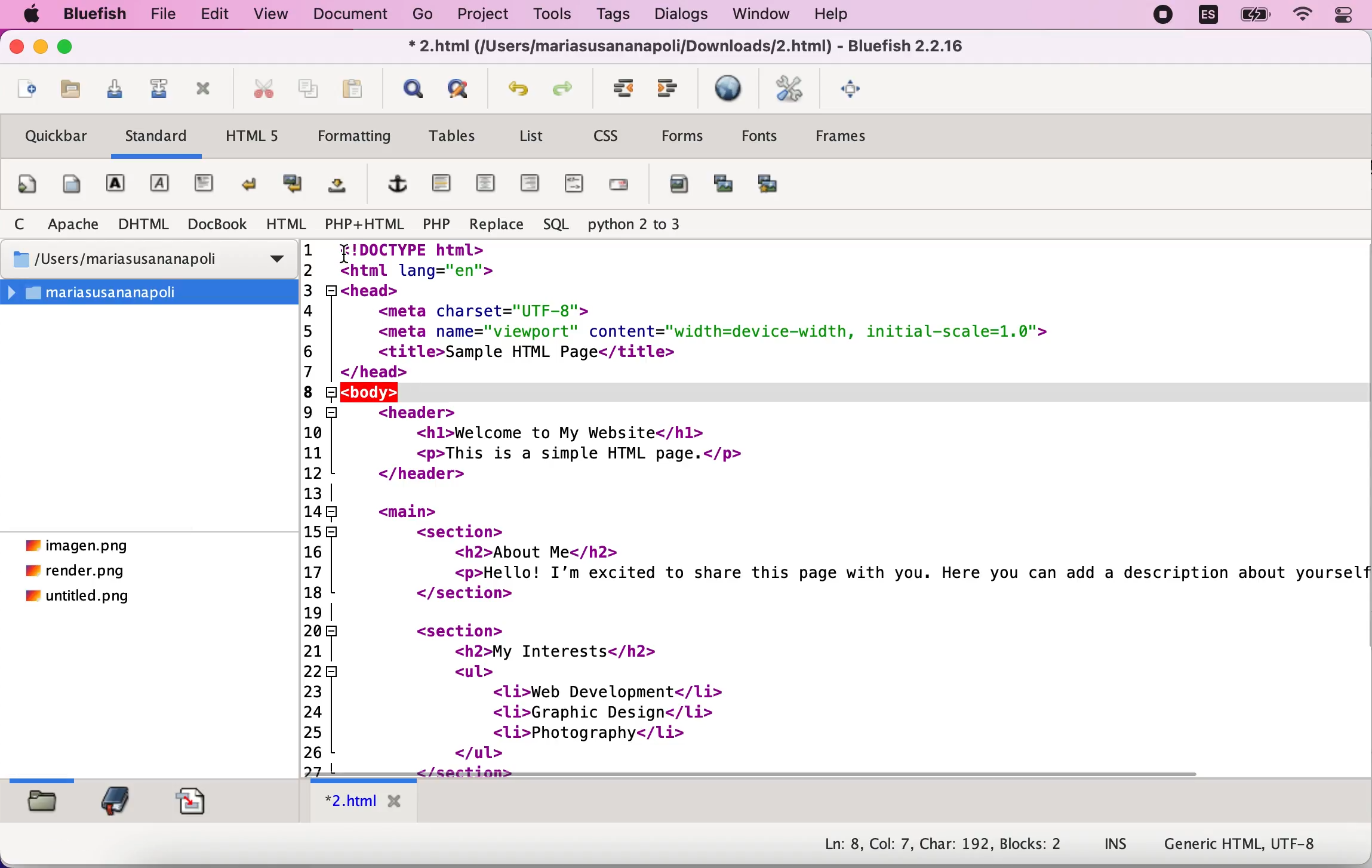  Describe the element at coordinates (352, 17) in the screenshot. I see `document` at that location.